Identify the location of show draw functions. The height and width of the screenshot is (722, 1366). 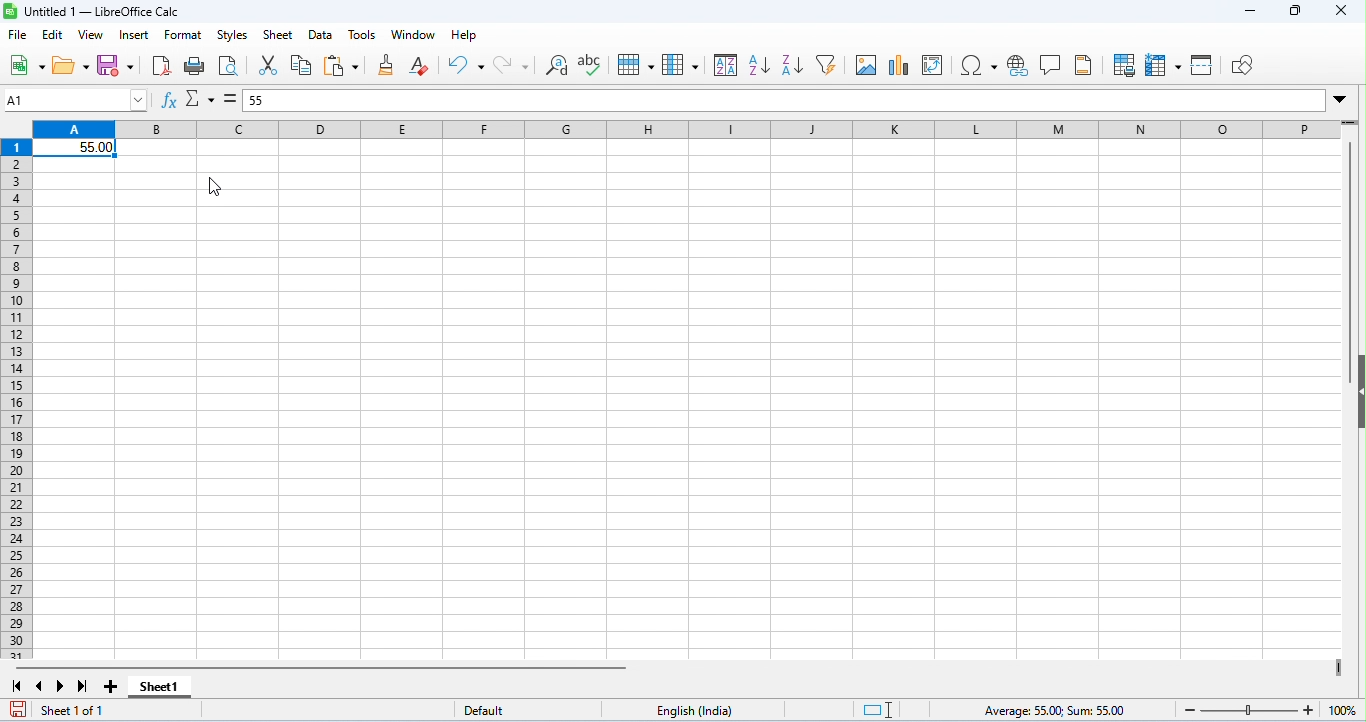
(1242, 65).